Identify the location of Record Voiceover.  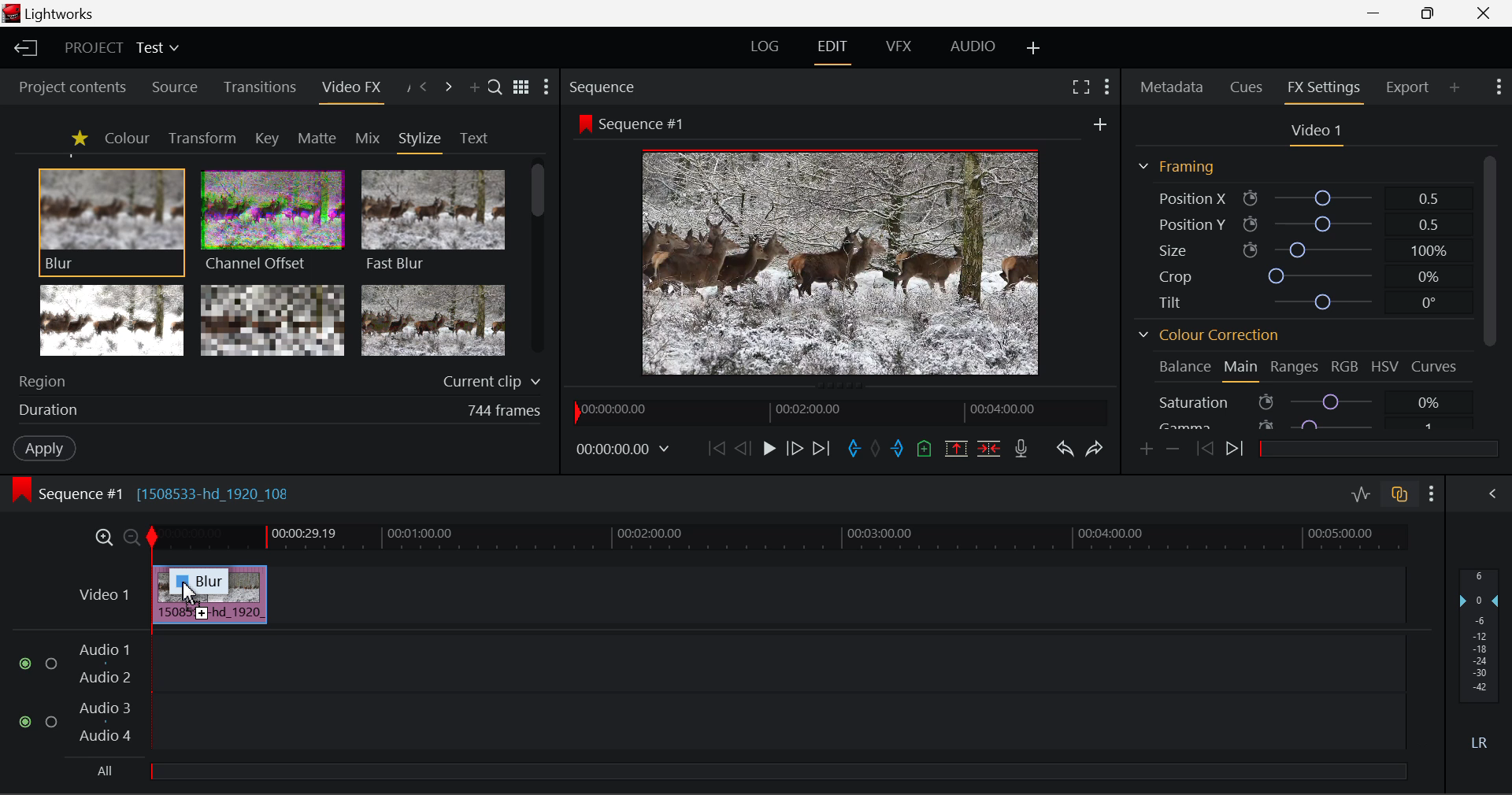
(1022, 447).